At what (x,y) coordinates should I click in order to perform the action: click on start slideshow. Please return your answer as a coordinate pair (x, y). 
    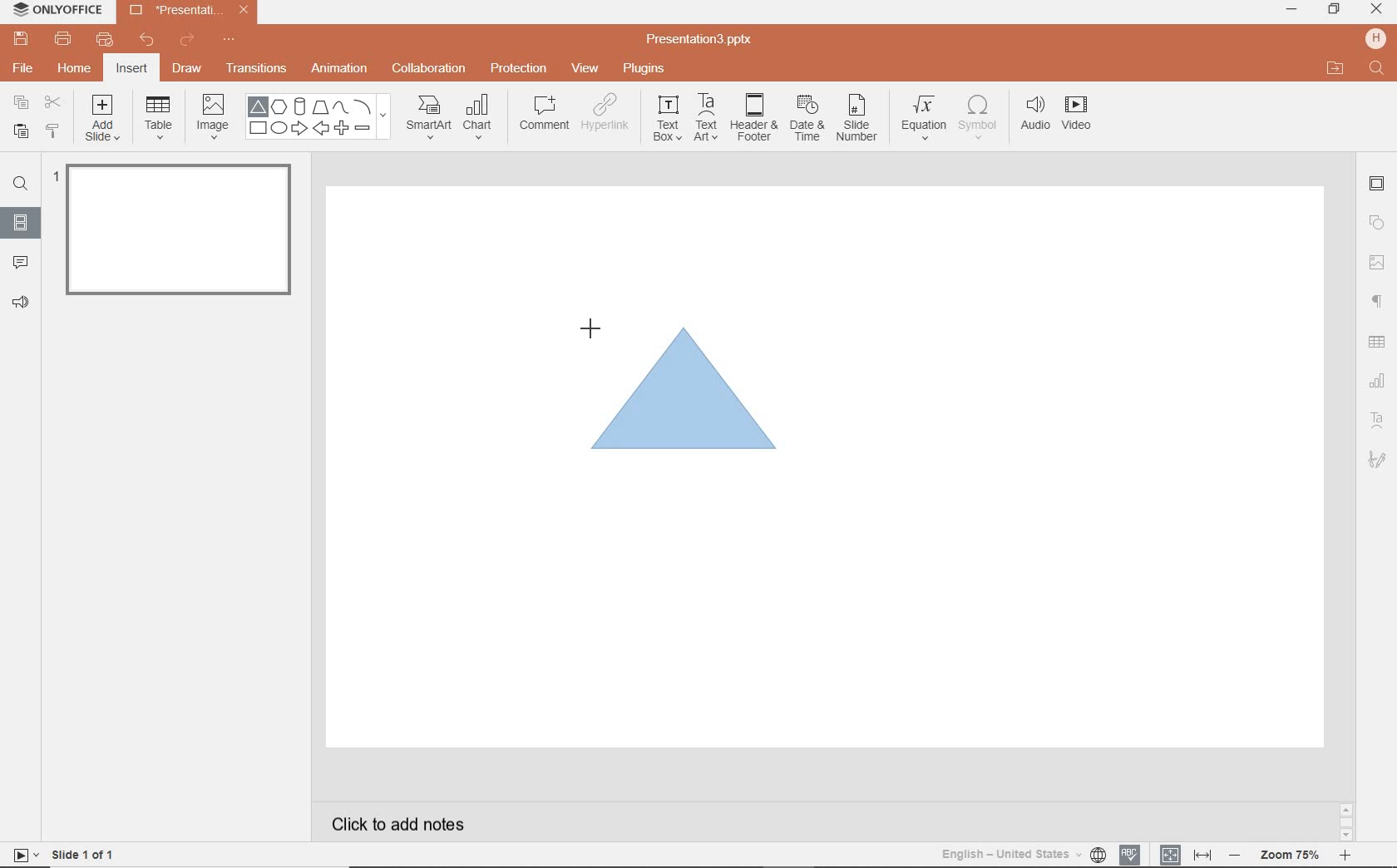
    Looking at the image, I should click on (20, 857).